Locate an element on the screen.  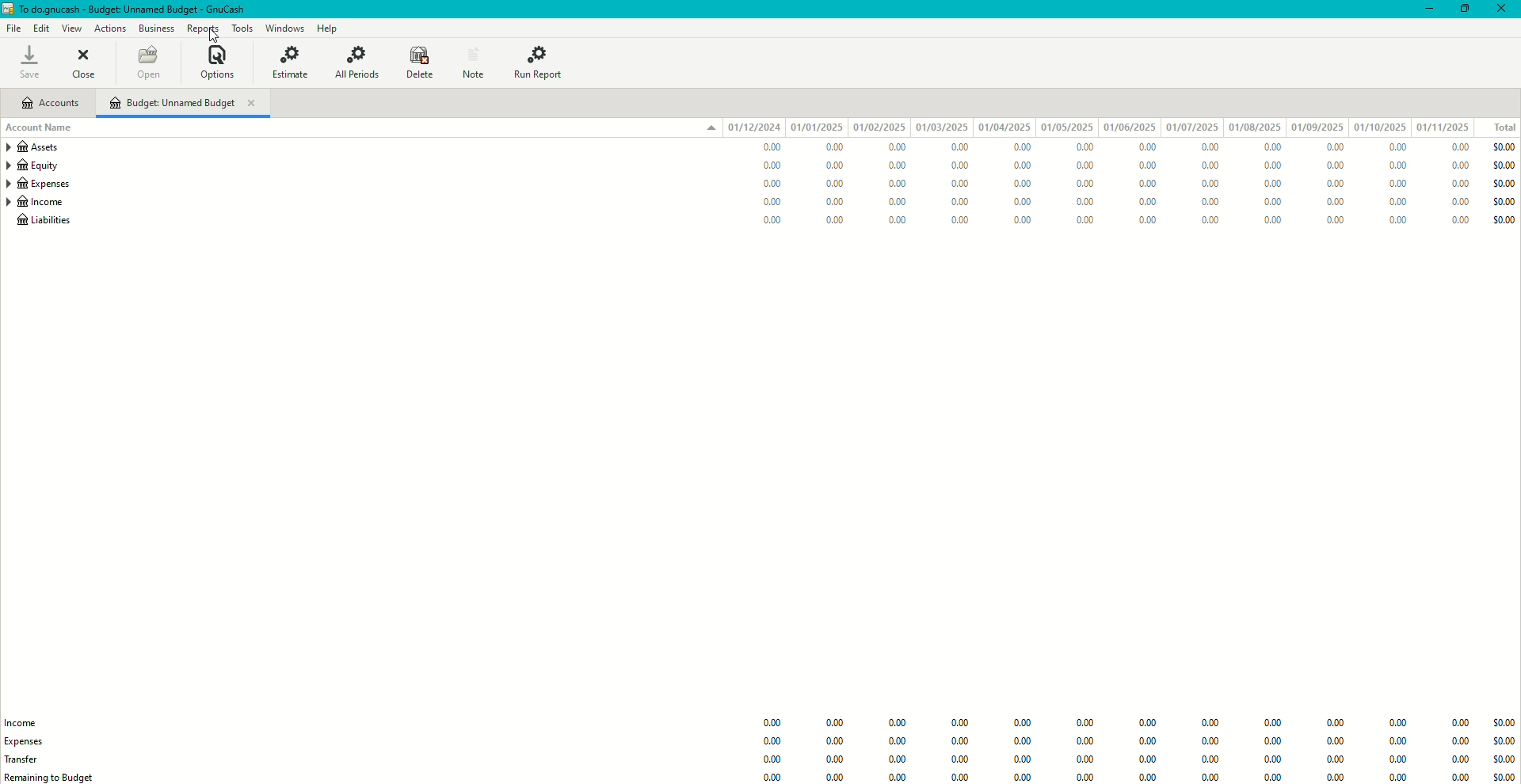
0.00 is located at coordinates (833, 147).